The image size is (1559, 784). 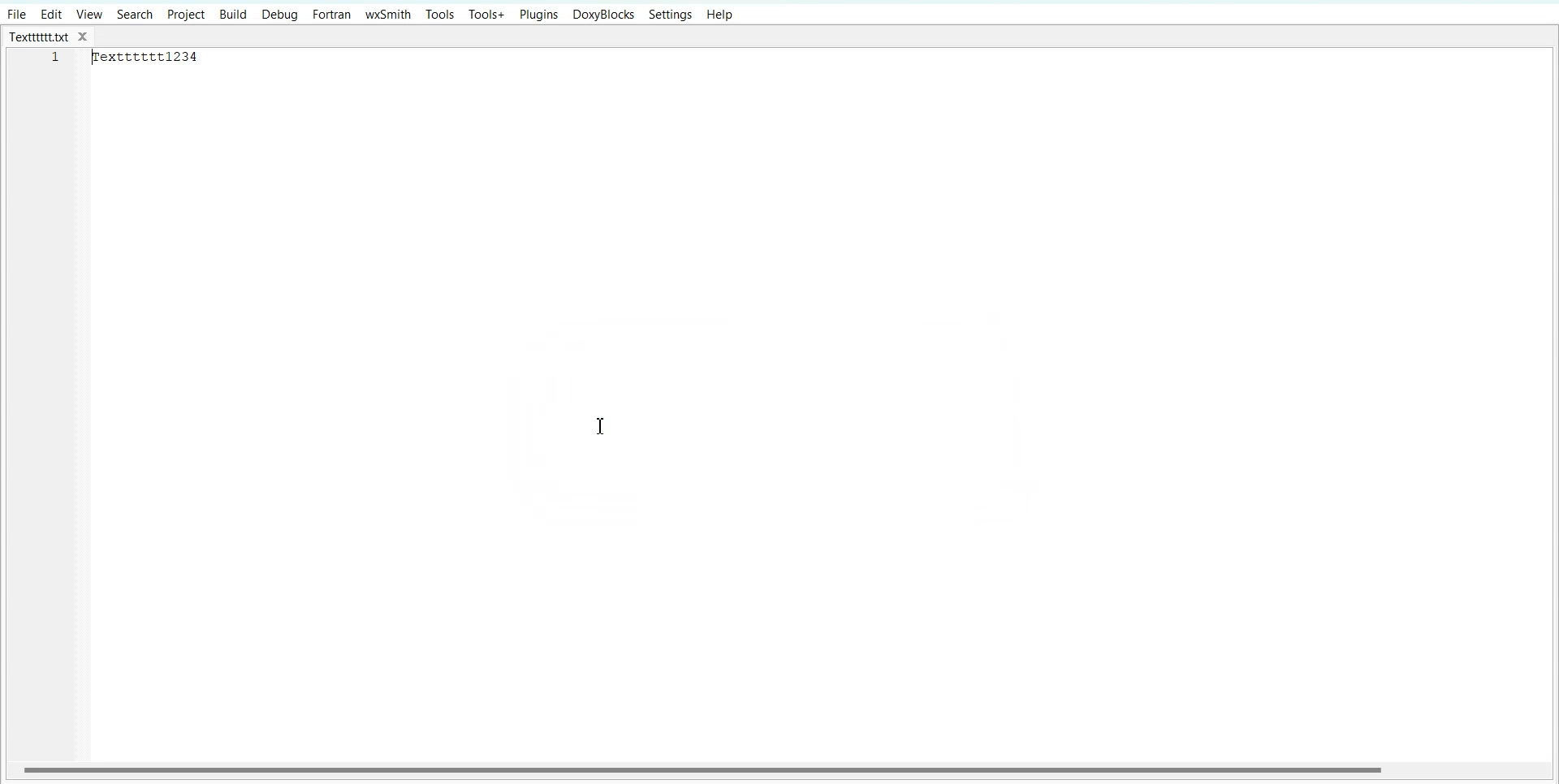 I want to click on Text cursor, so click(x=604, y=425).